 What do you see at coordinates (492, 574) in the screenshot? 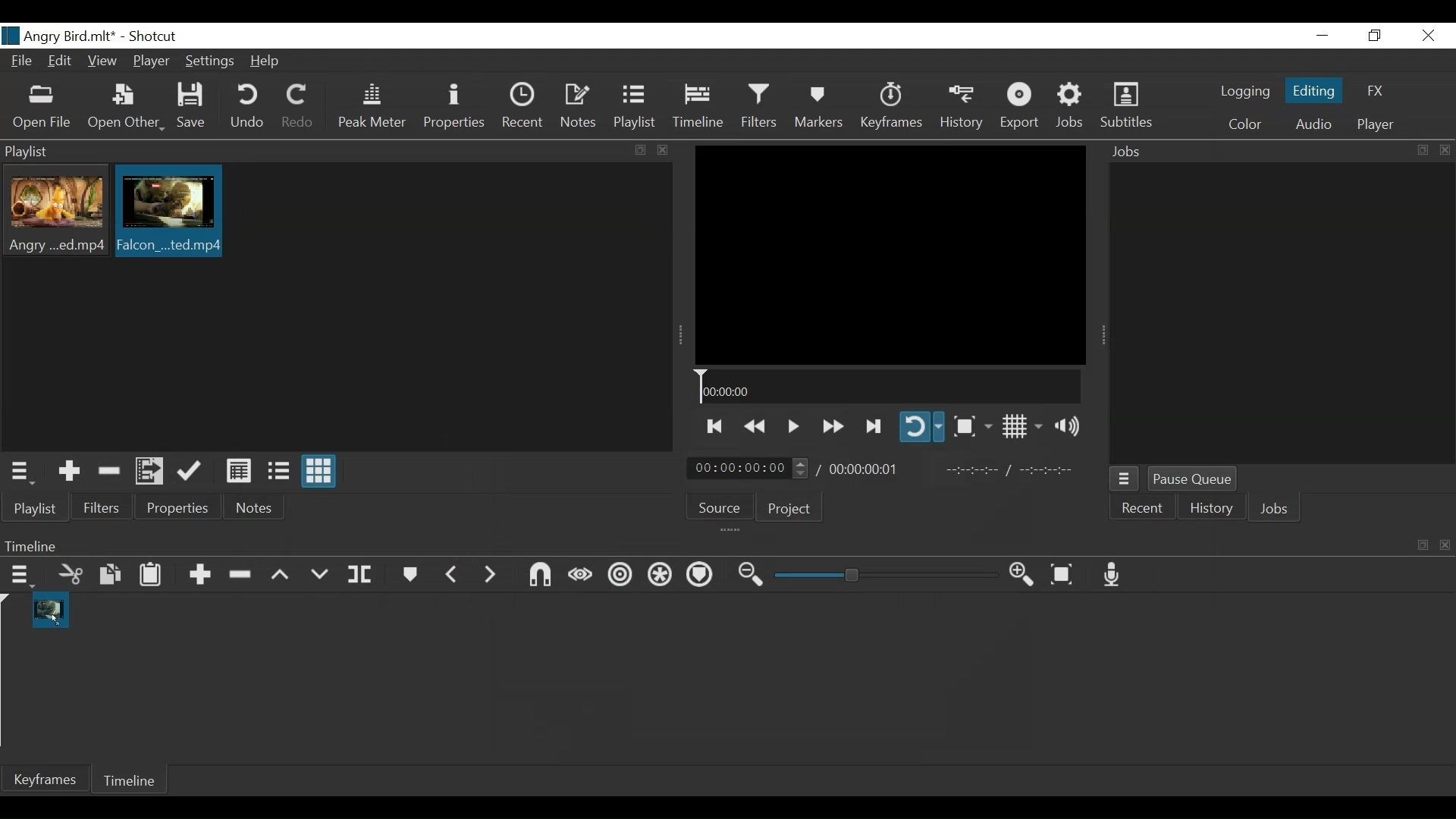
I see `Next Marker` at bounding box center [492, 574].